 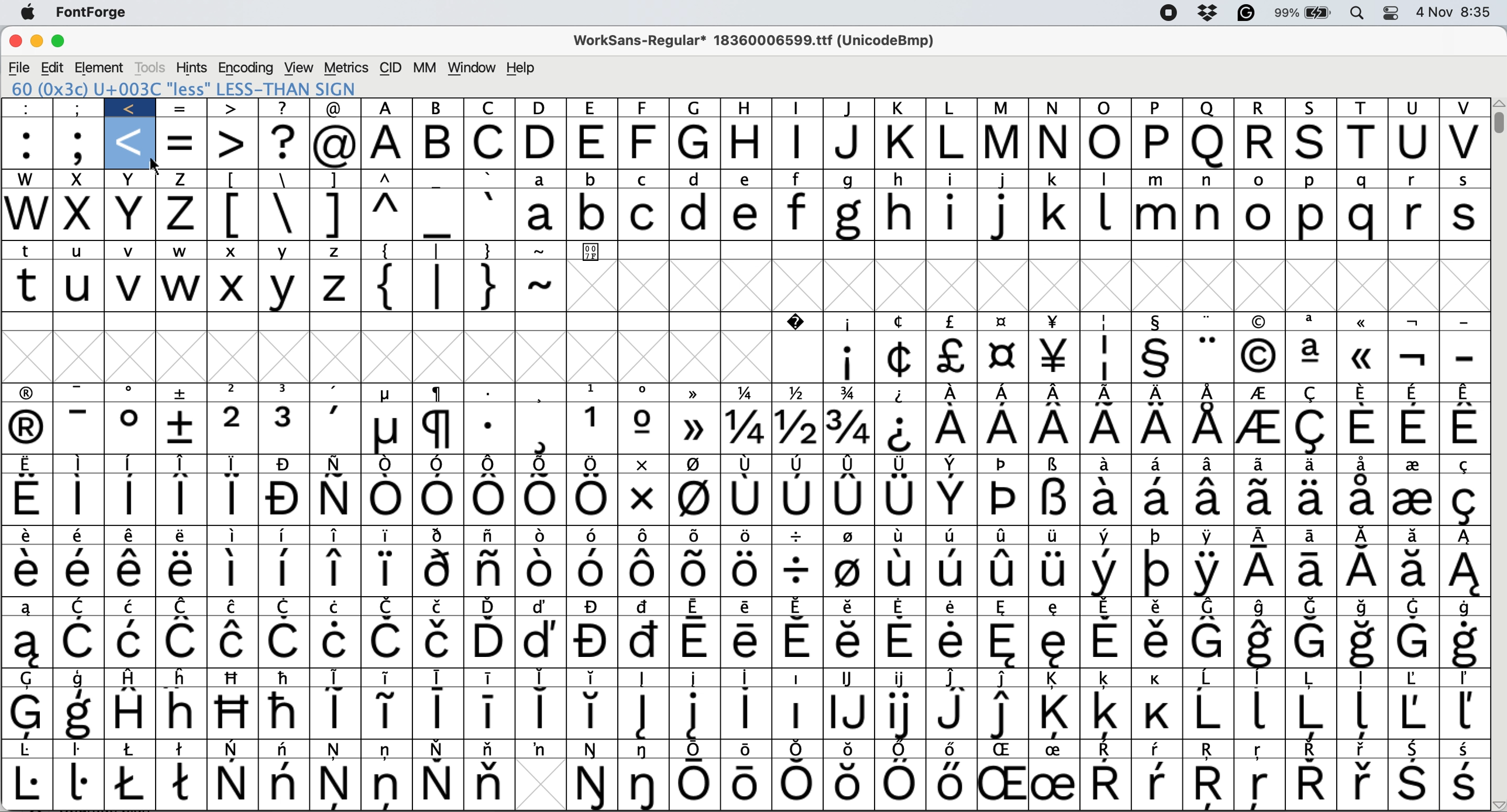 What do you see at coordinates (287, 501) in the screenshot?
I see `Symbol` at bounding box center [287, 501].